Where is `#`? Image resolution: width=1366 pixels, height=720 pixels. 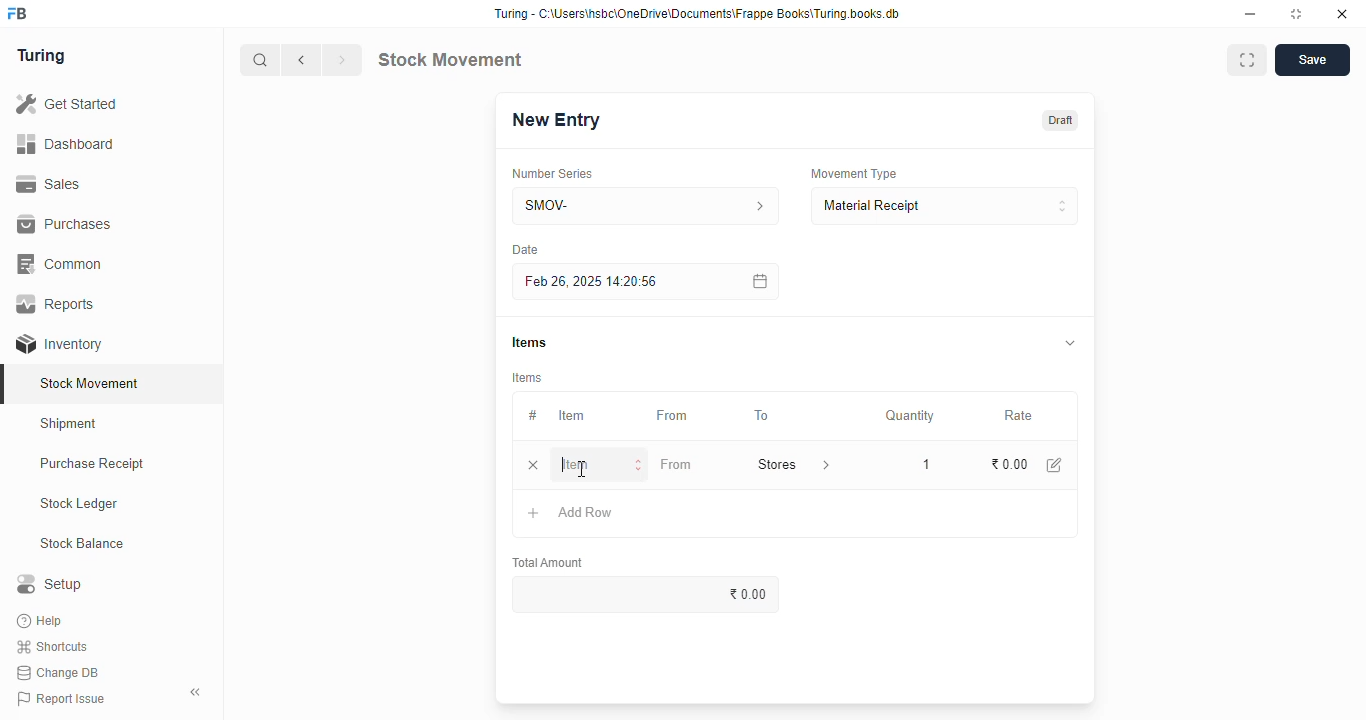
# is located at coordinates (533, 416).